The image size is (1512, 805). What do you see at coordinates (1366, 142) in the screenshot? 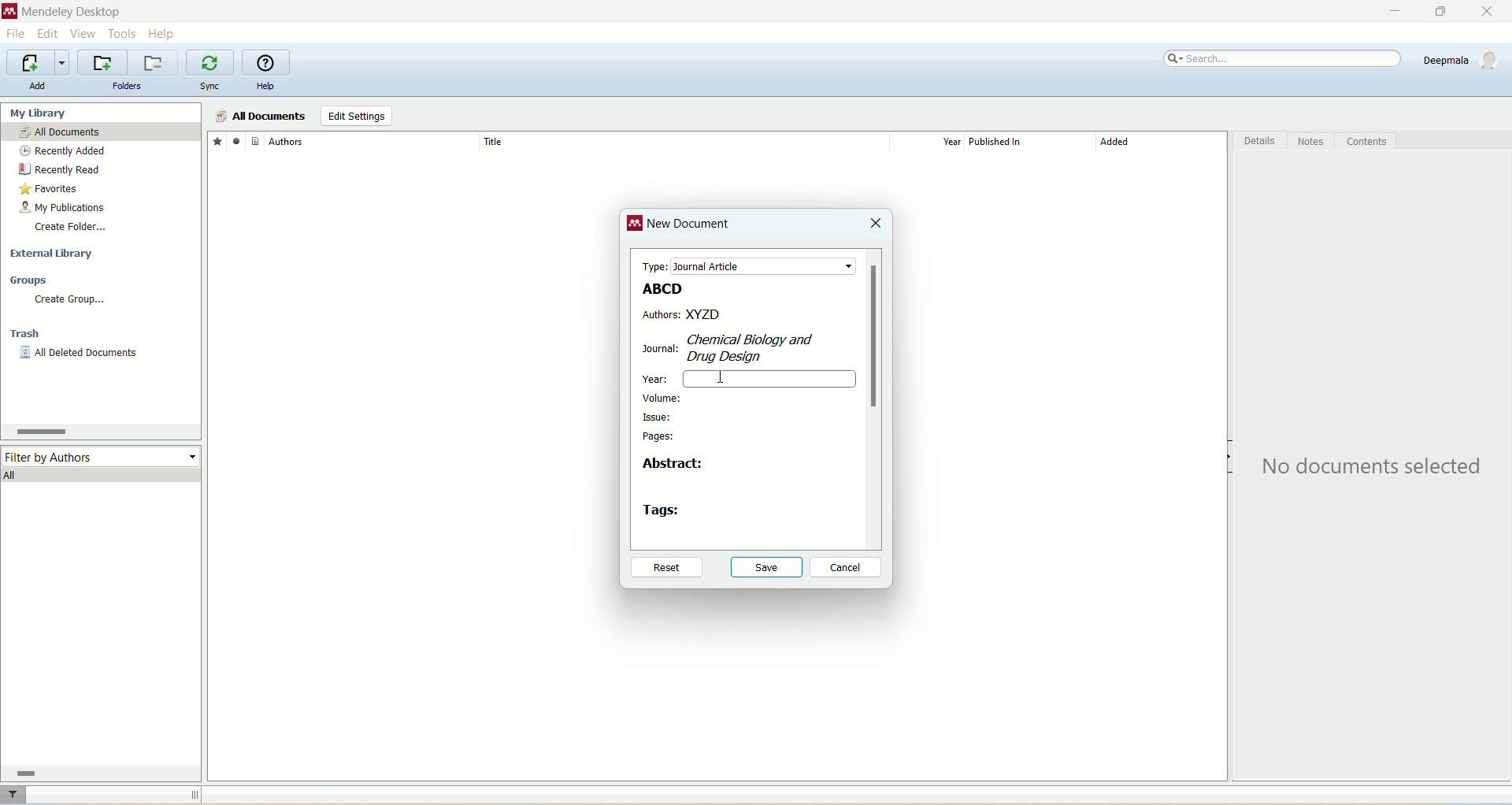
I see `content` at bounding box center [1366, 142].